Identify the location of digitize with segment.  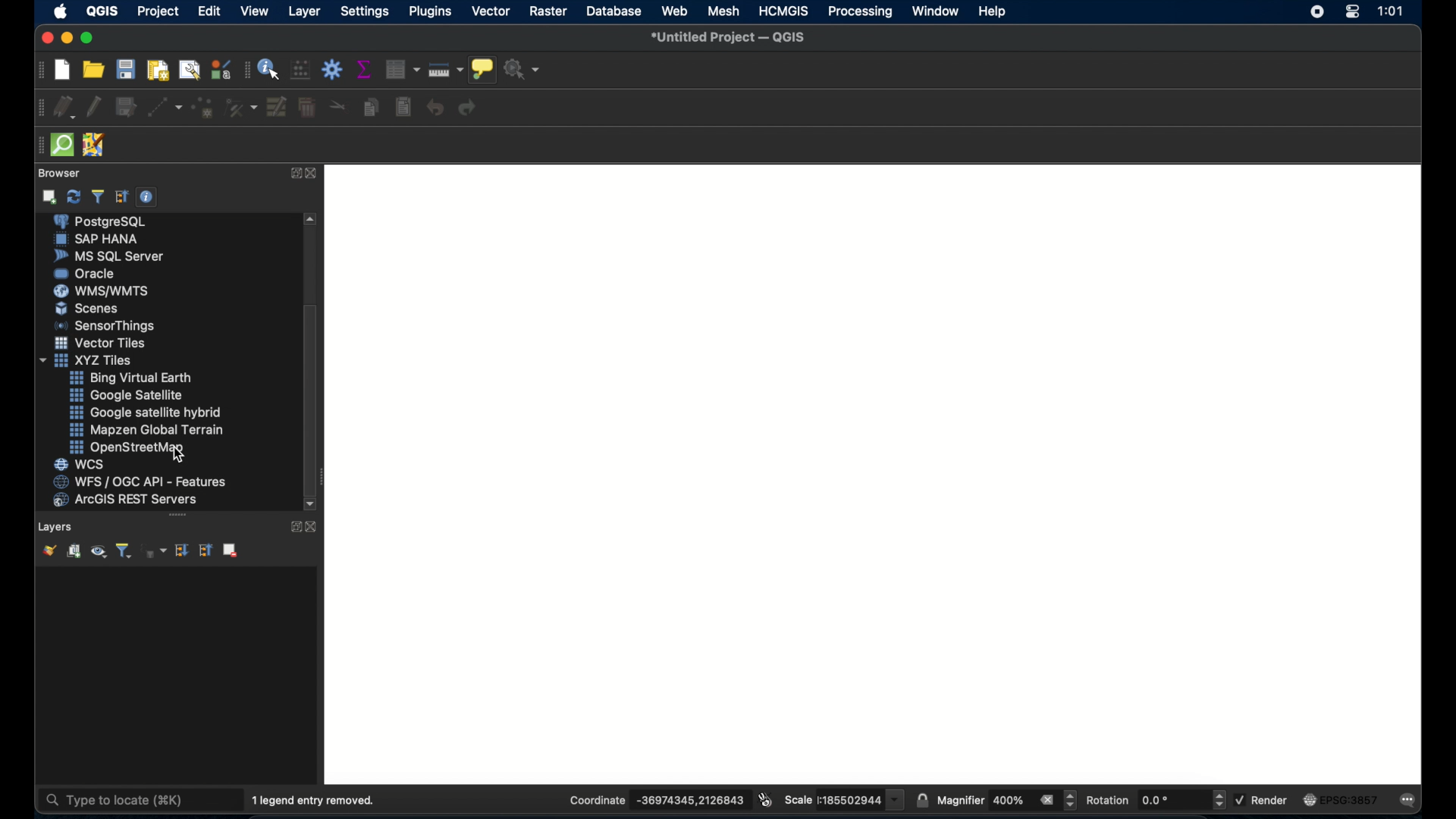
(164, 110).